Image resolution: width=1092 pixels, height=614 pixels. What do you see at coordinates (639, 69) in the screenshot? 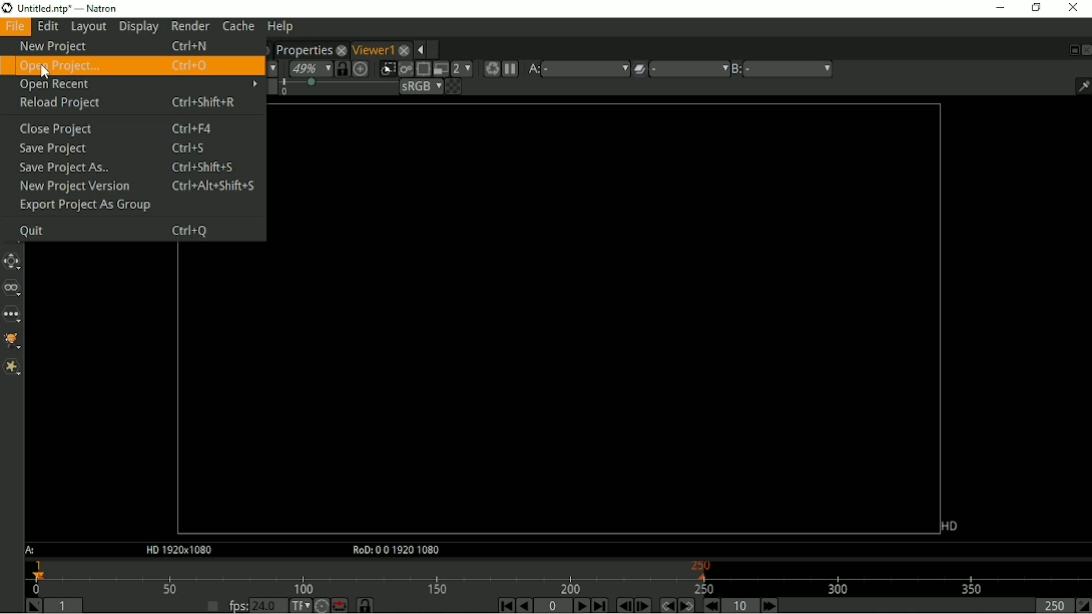
I see `Operation applied between viewer input A and B` at bounding box center [639, 69].